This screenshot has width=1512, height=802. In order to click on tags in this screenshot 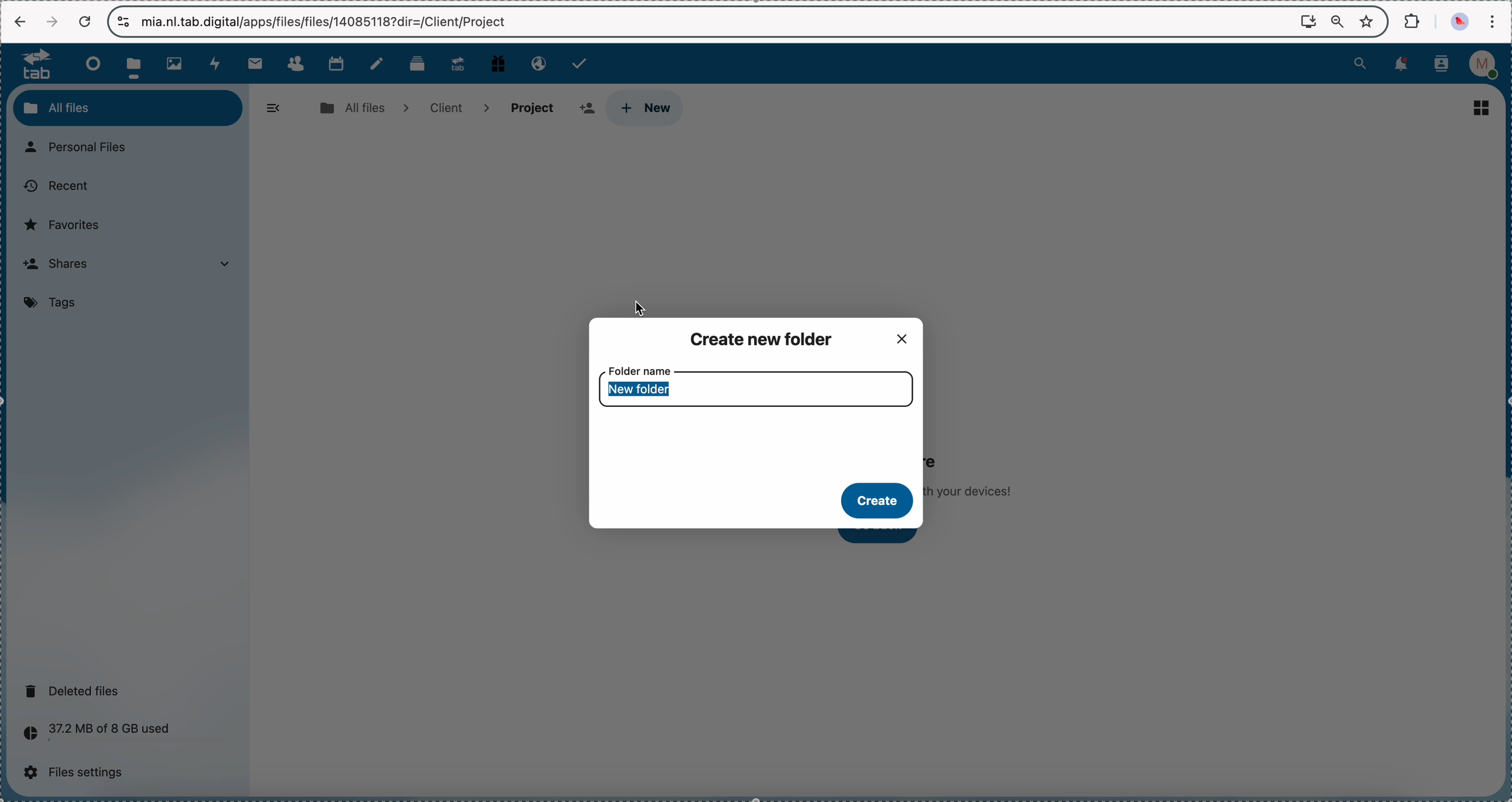, I will do `click(54, 304)`.